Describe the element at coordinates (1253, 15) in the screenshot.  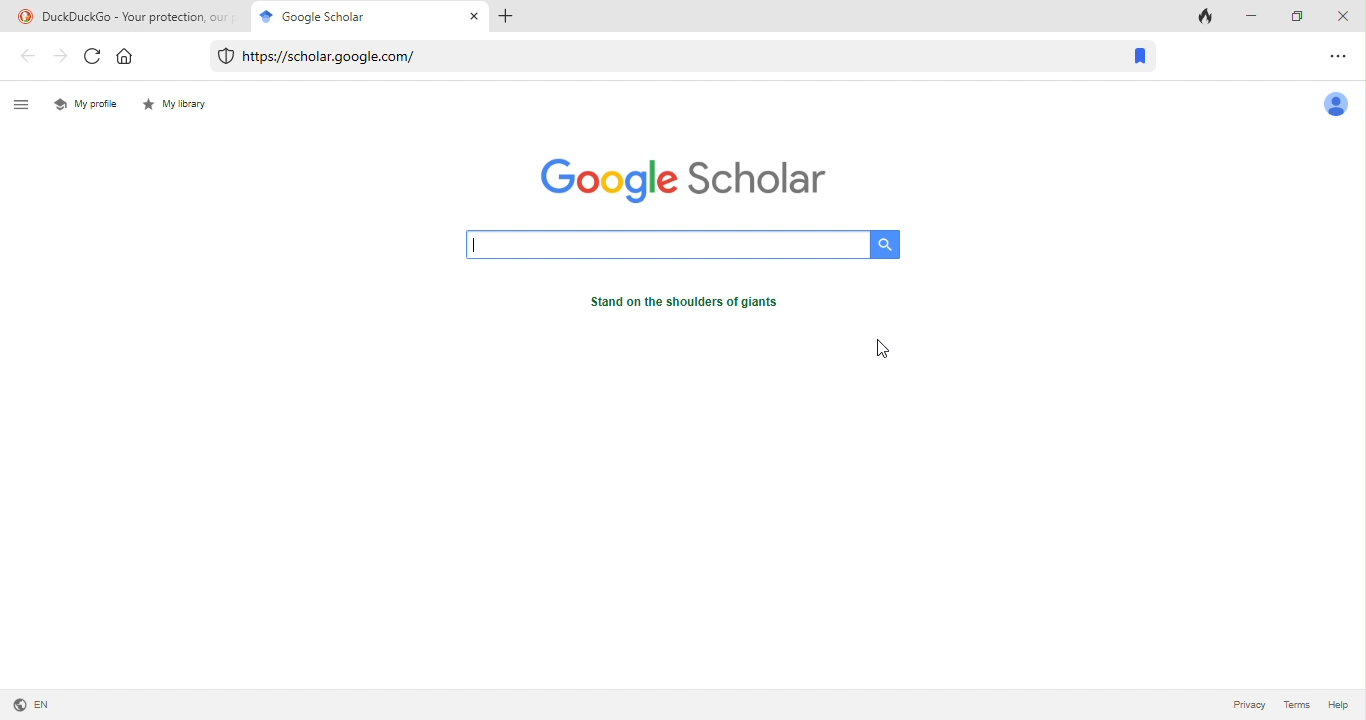
I see `minimize` at that location.